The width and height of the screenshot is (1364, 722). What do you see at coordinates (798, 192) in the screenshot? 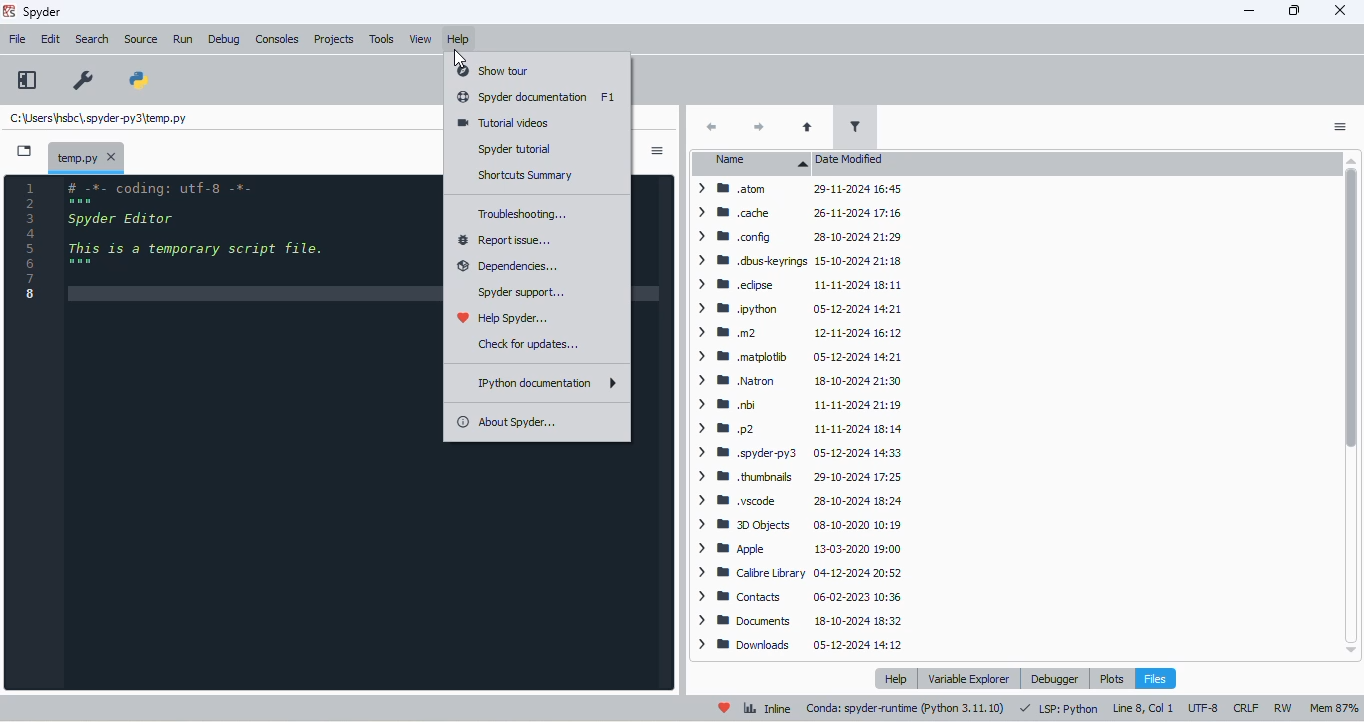
I see `> W atom 29-11-2024 16:45` at bounding box center [798, 192].